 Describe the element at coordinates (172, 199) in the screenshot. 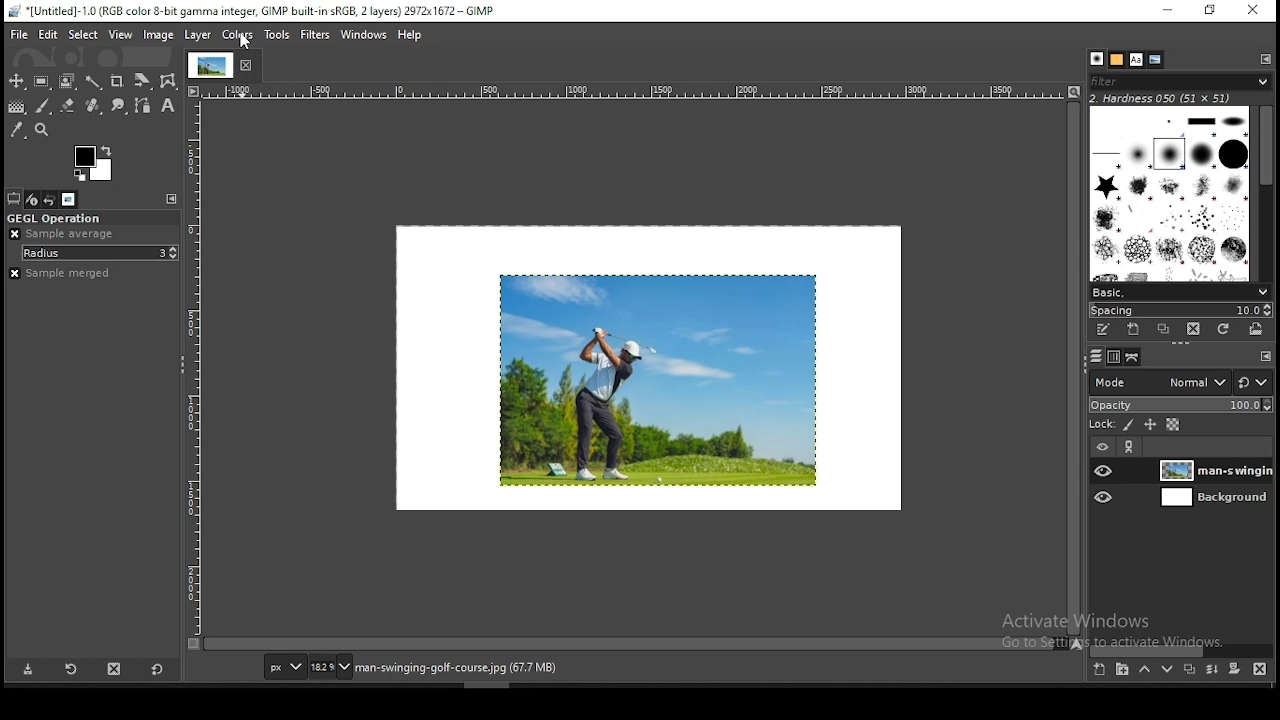

I see `configure this tab` at that location.